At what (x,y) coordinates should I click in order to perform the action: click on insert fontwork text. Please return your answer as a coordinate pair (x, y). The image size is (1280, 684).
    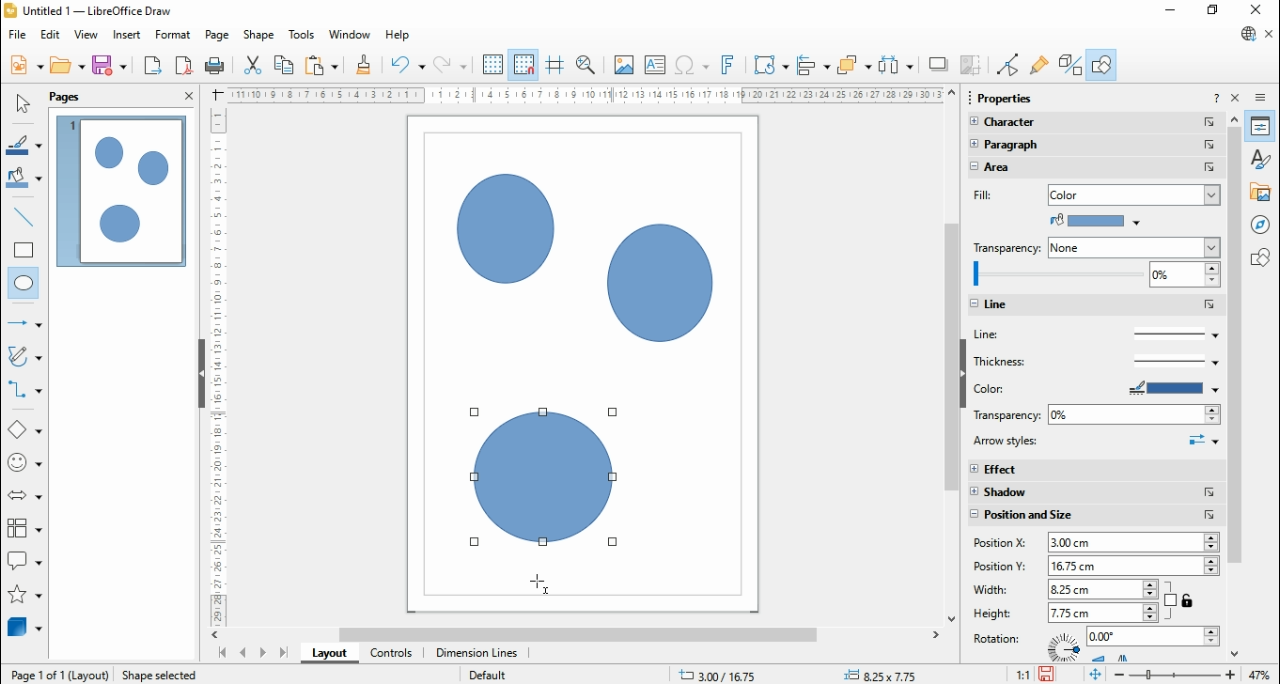
    Looking at the image, I should click on (728, 64).